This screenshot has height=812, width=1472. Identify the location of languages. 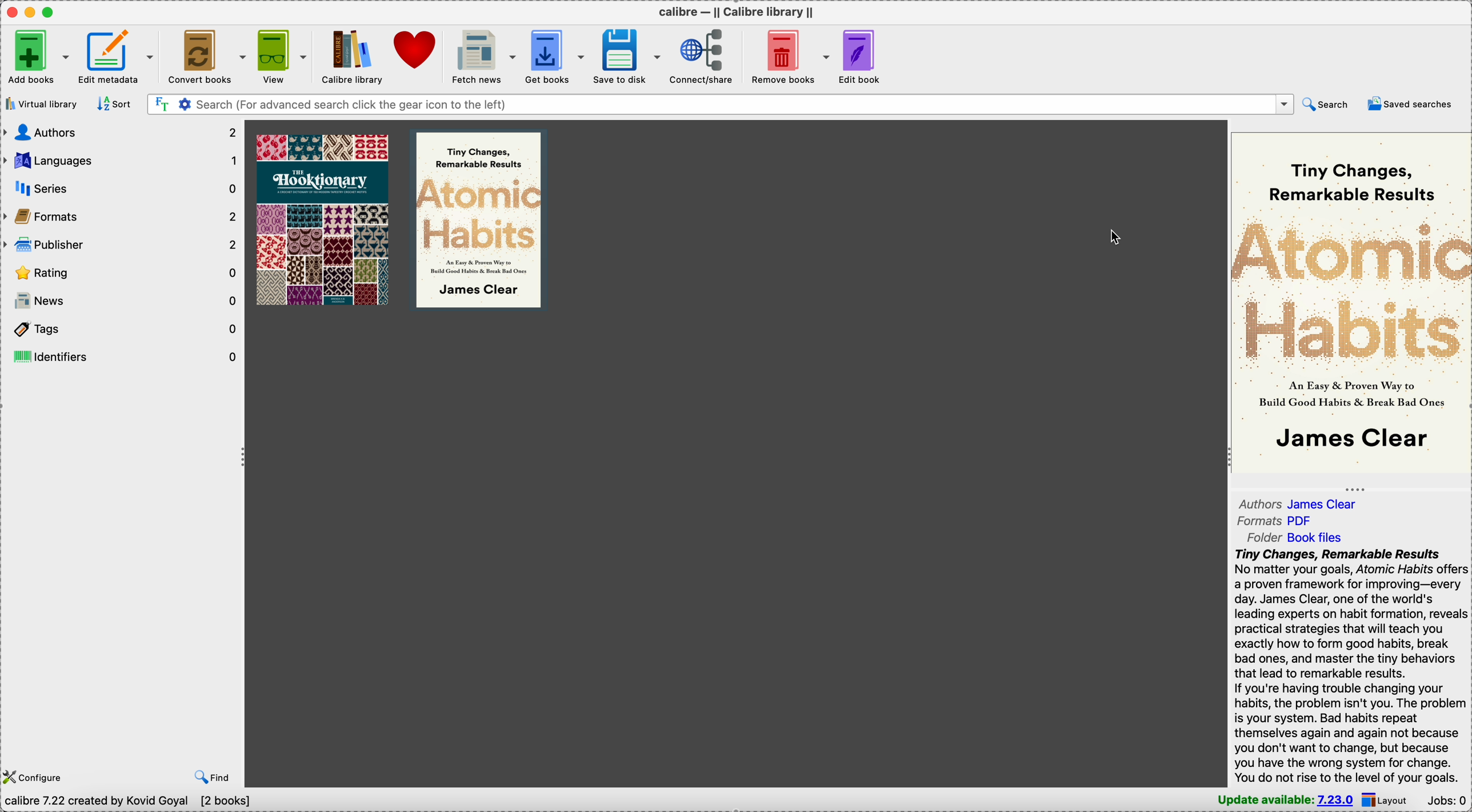
(122, 161).